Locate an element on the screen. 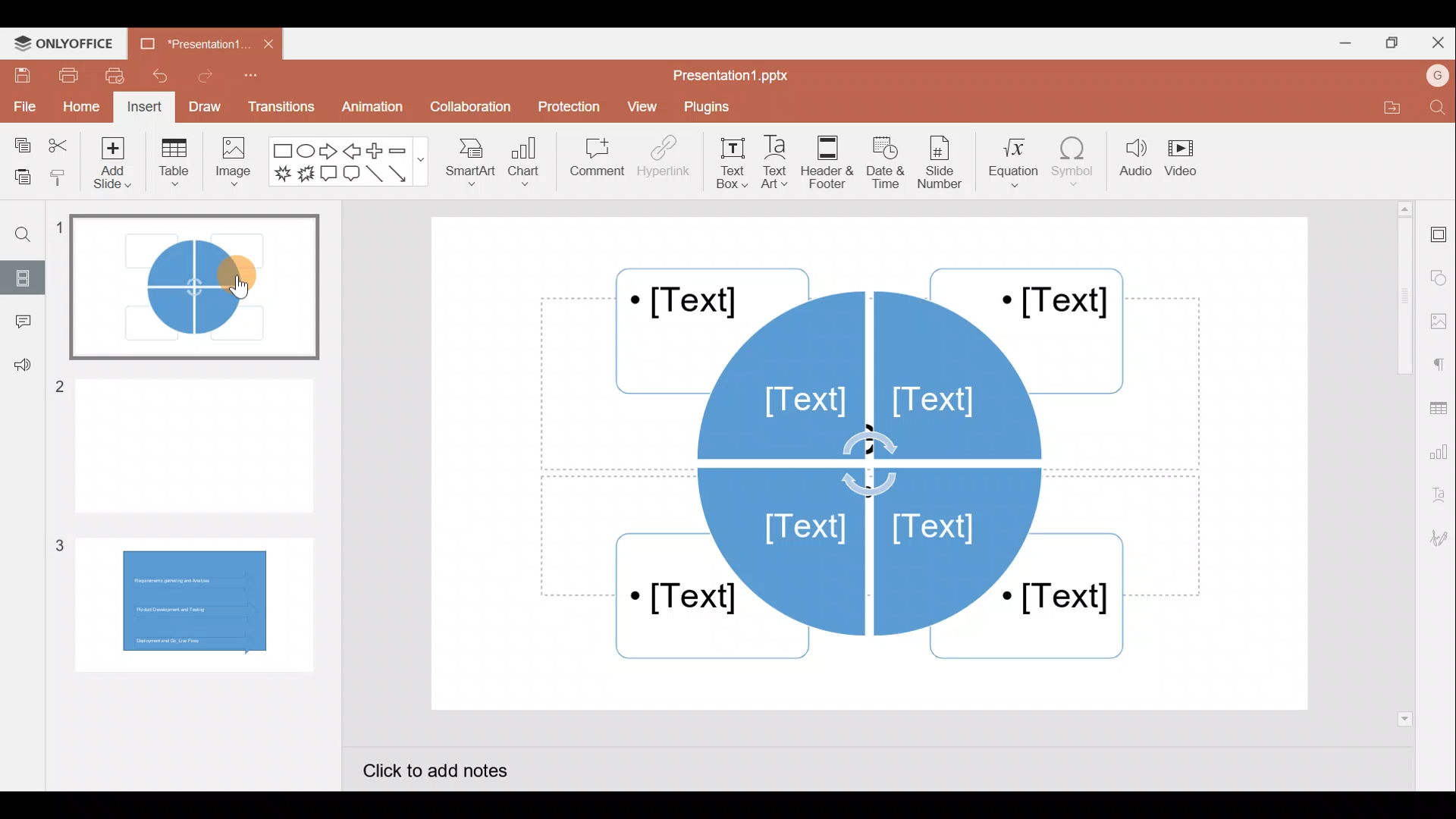  Presentation1. is located at coordinates (187, 45).